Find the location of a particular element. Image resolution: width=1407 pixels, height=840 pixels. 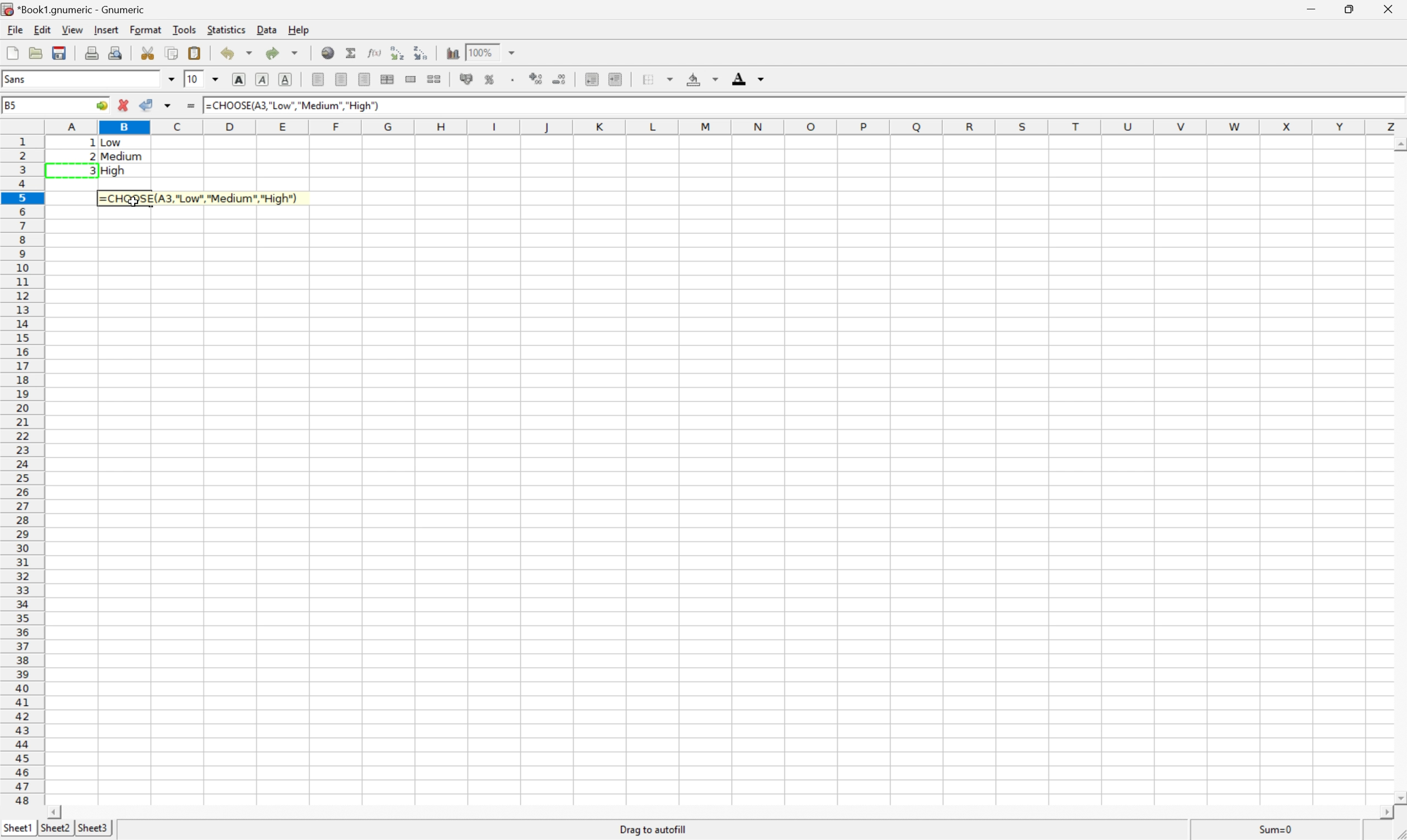

Drop Down is located at coordinates (215, 80).